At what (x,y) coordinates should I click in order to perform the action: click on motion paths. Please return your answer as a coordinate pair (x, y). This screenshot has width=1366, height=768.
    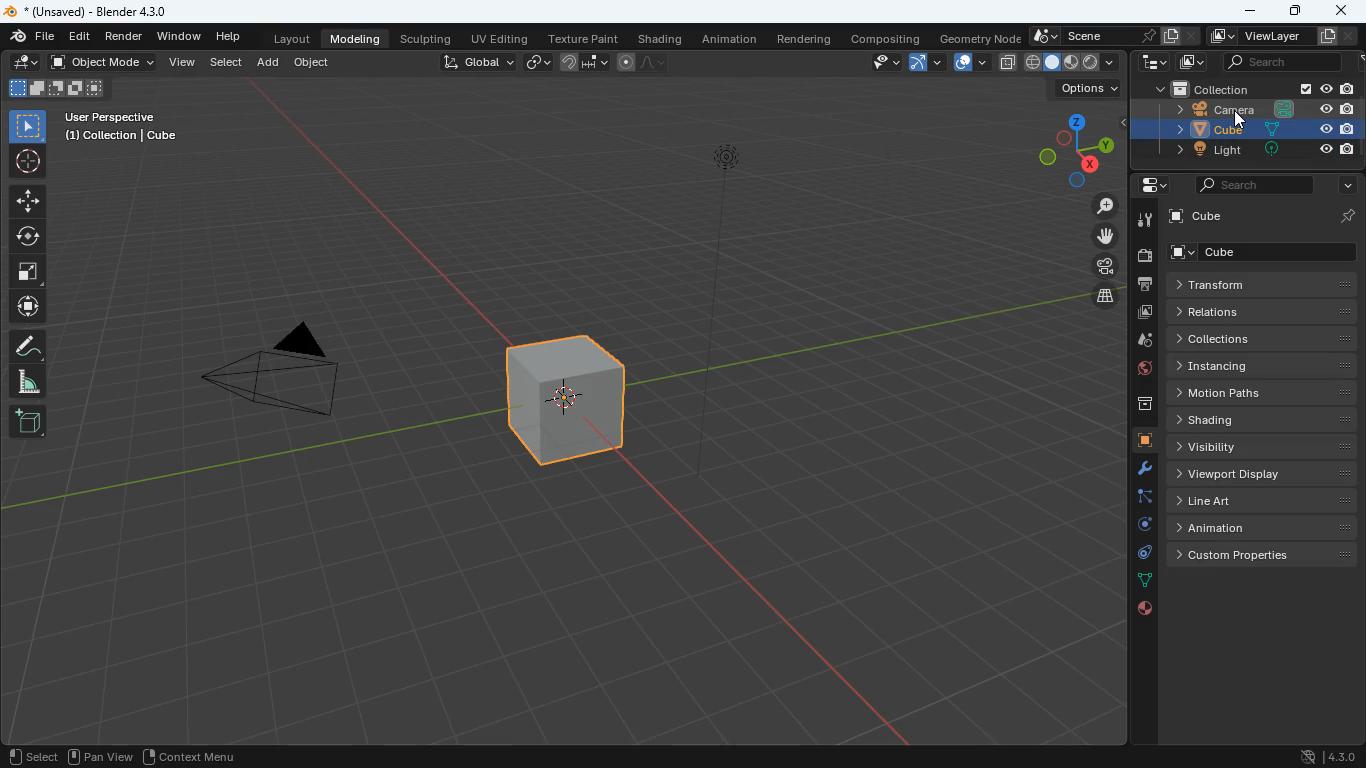
    Looking at the image, I should click on (1264, 392).